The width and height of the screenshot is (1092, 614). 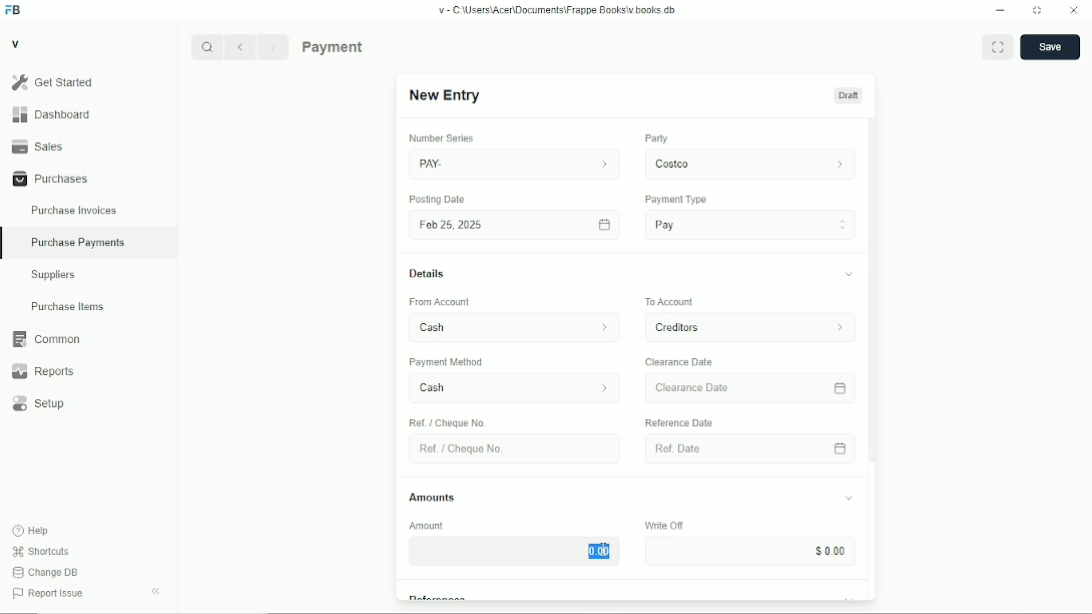 I want to click on Ret. Choque No., so click(x=509, y=449).